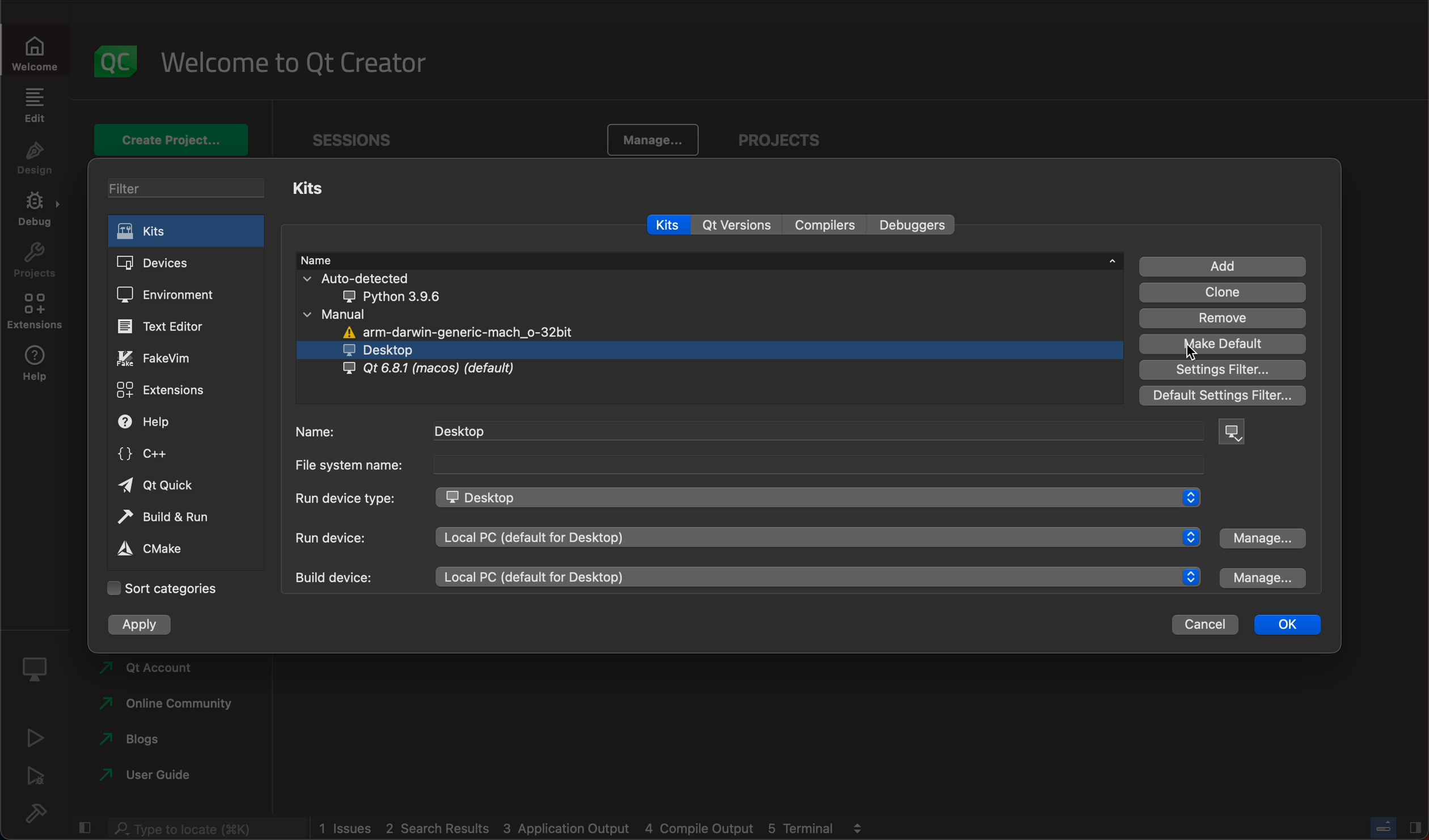 The width and height of the screenshot is (1429, 840). What do you see at coordinates (164, 392) in the screenshot?
I see `extensions` at bounding box center [164, 392].